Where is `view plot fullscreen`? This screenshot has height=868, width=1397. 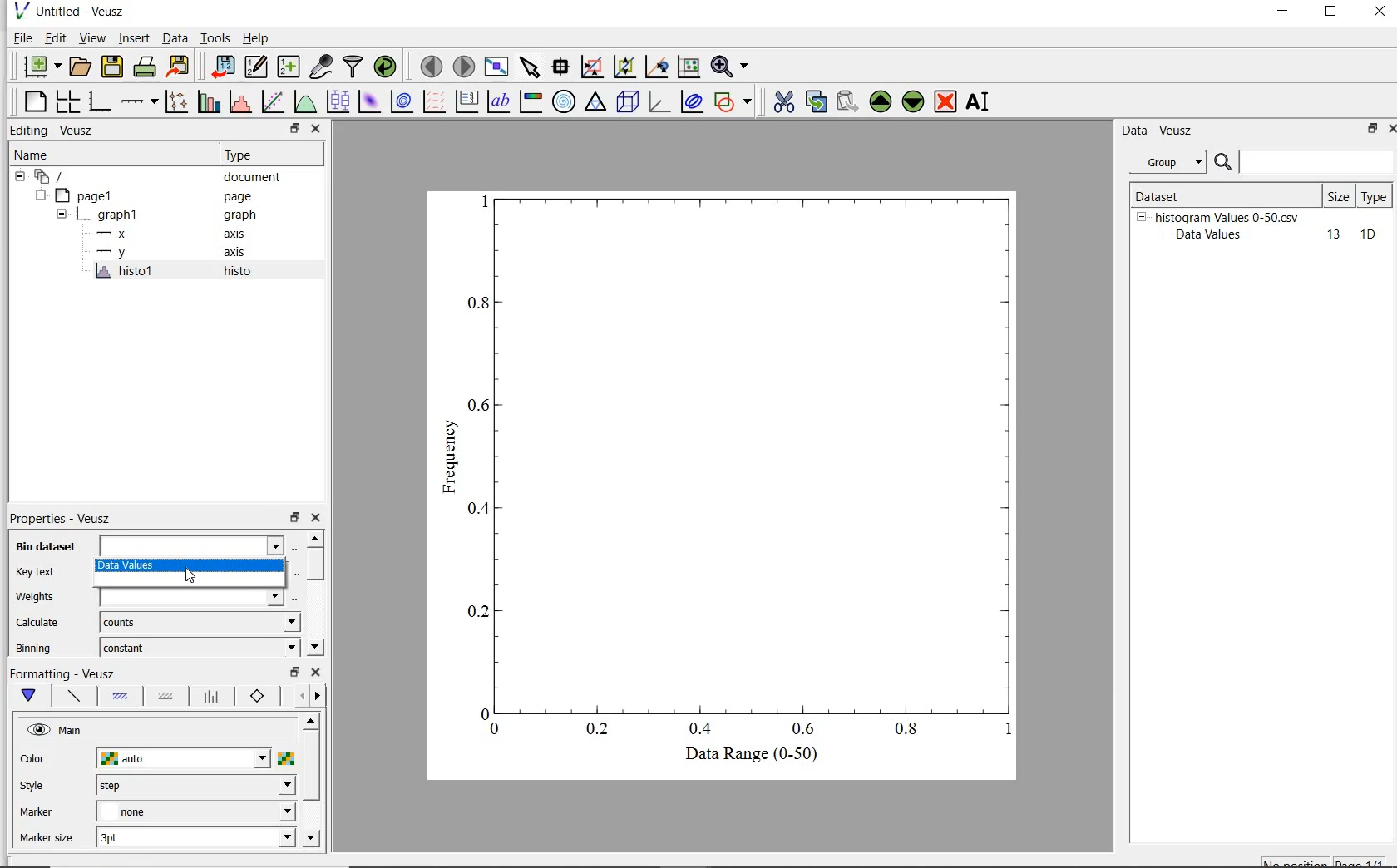 view plot fullscreen is located at coordinates (496, 65).